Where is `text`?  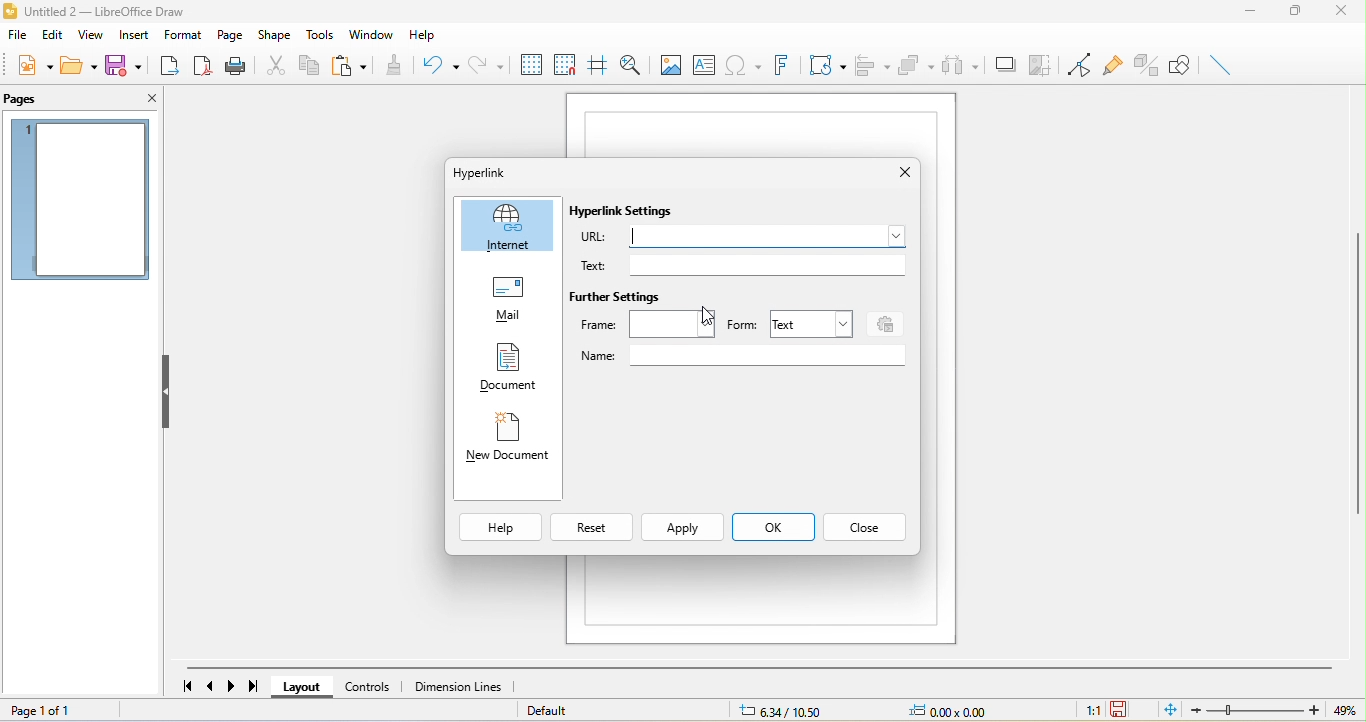 text is located at coordinates (813, 325).